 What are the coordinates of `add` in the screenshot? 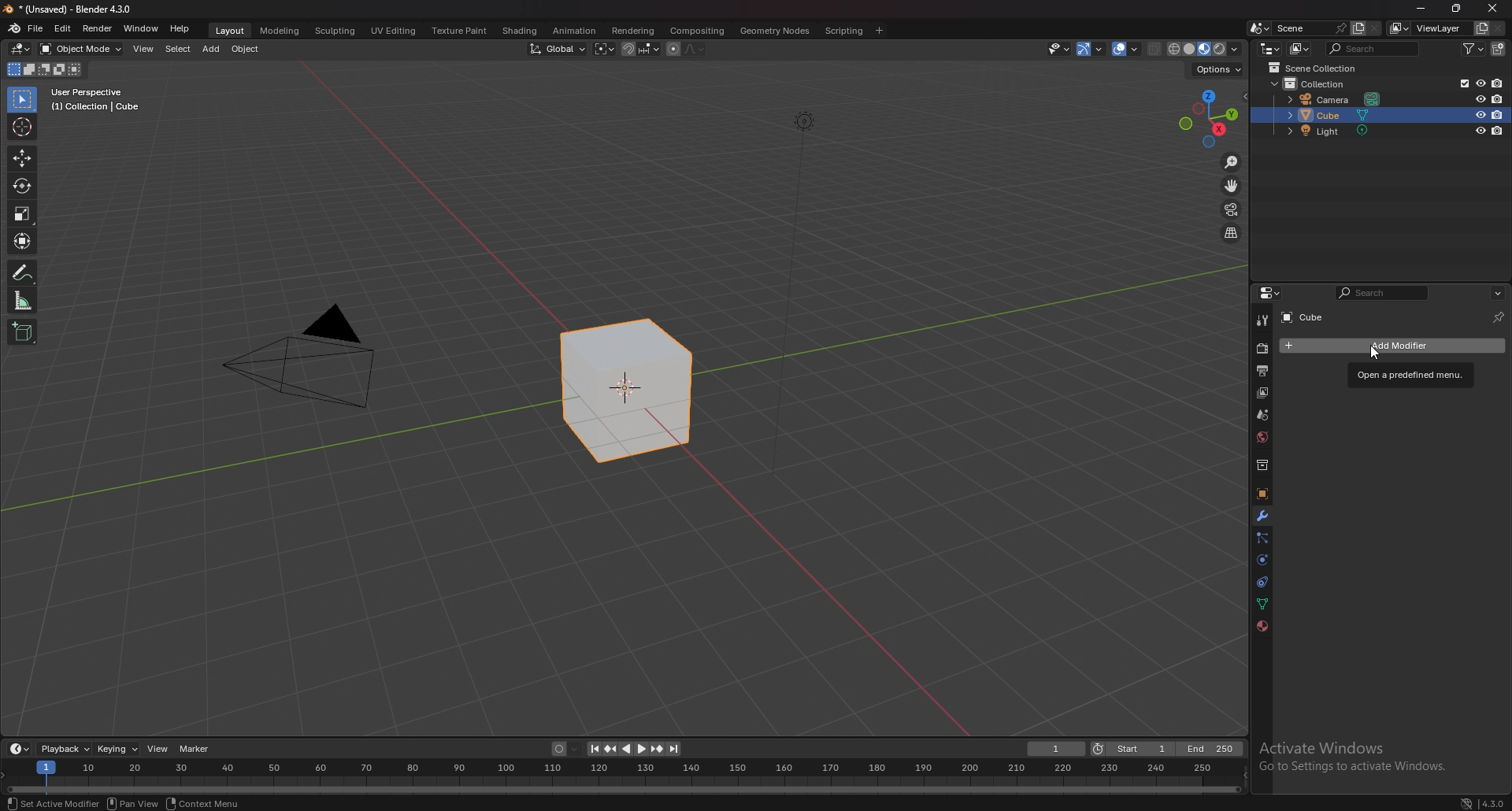 It's located at (212, 49).